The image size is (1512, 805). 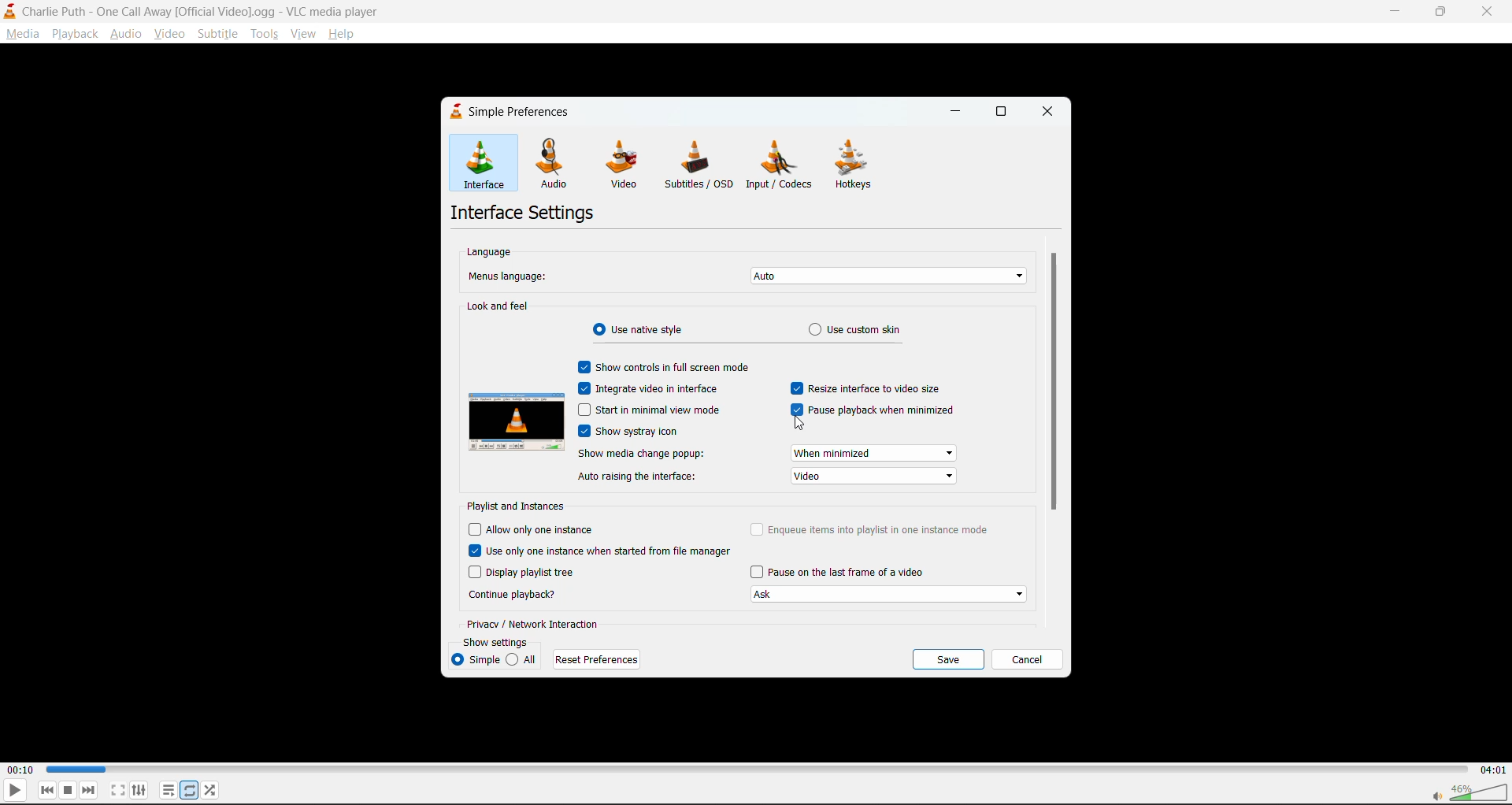 What do you see at coordinates (474, 551) in the screenshot?
I see `Checbox` at bounding box center [474, 551].